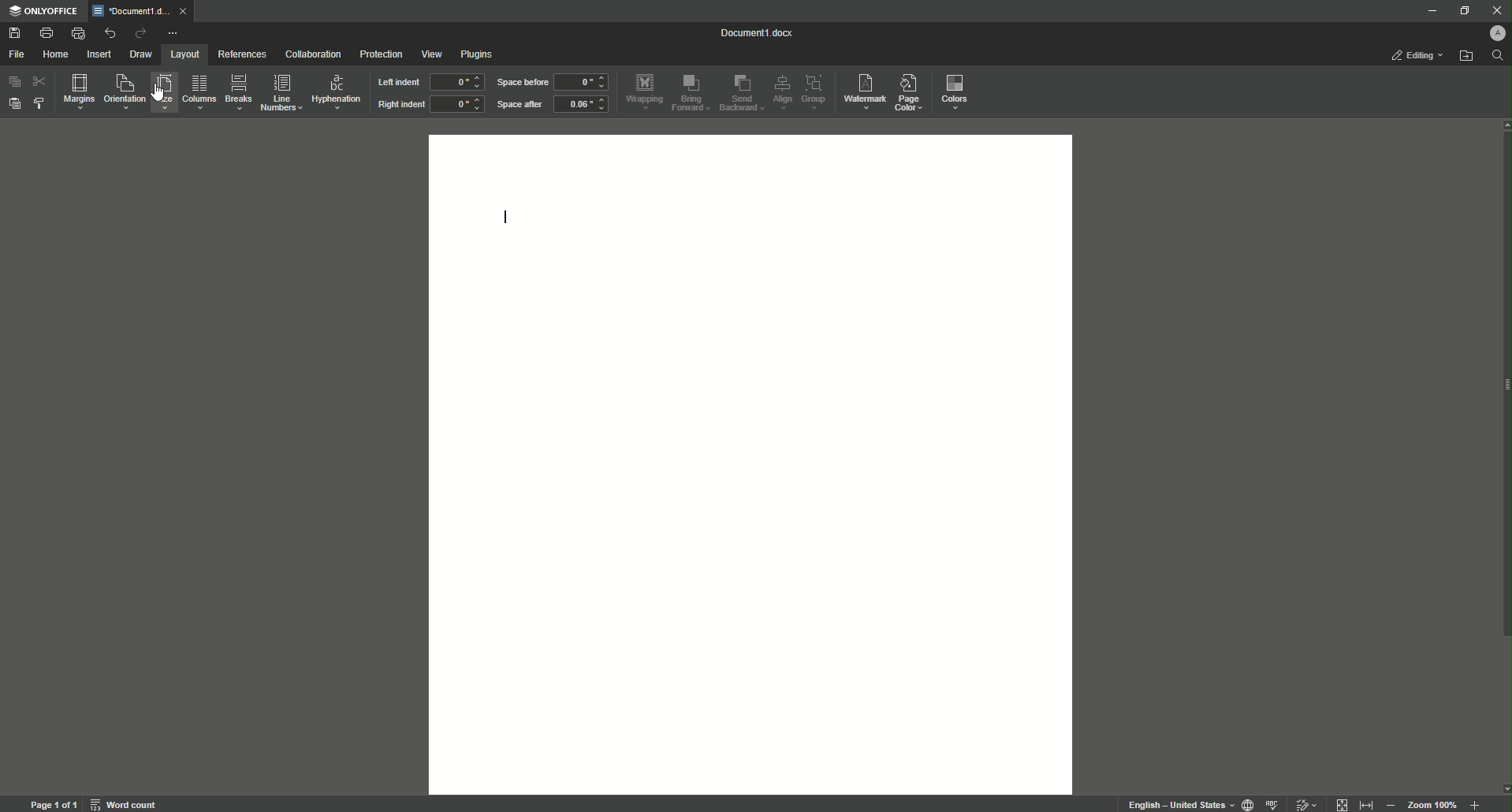  I want to click on Page Color, so click(914, 89).